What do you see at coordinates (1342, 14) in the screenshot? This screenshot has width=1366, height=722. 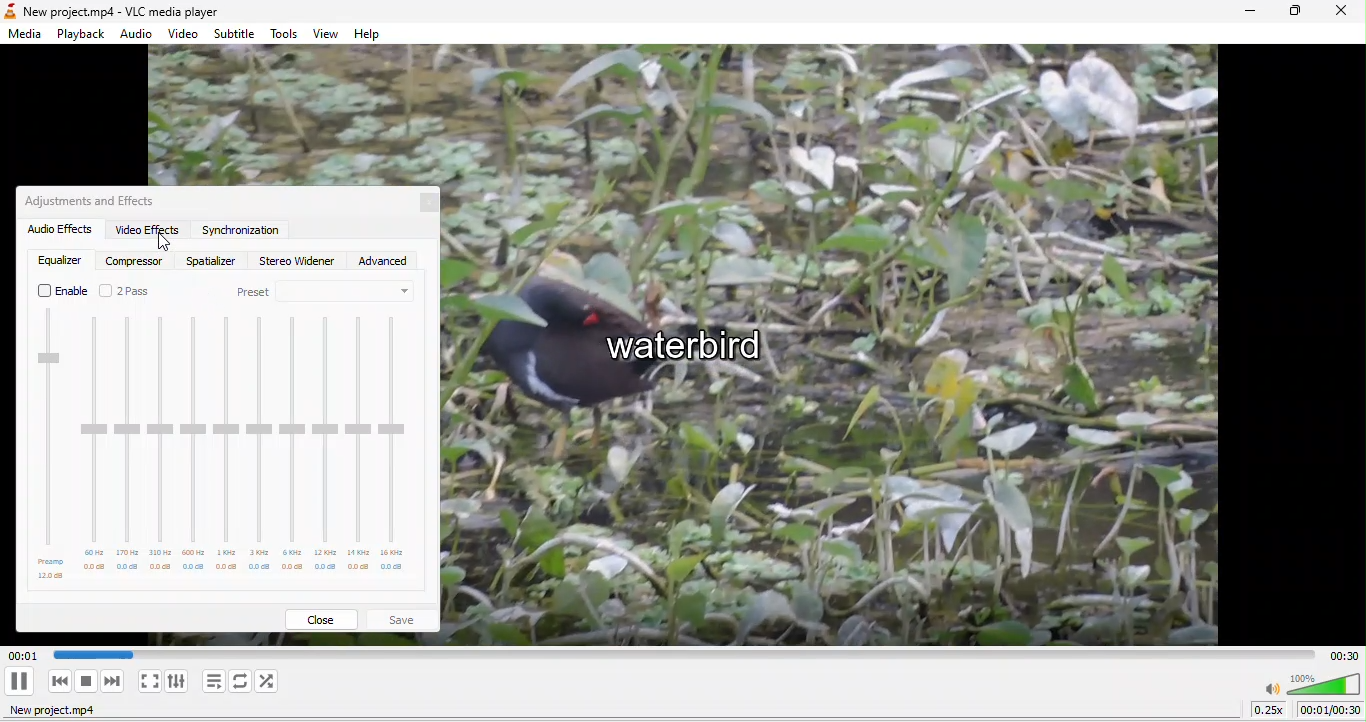 I see `close` at bounding box center [1342, 14].